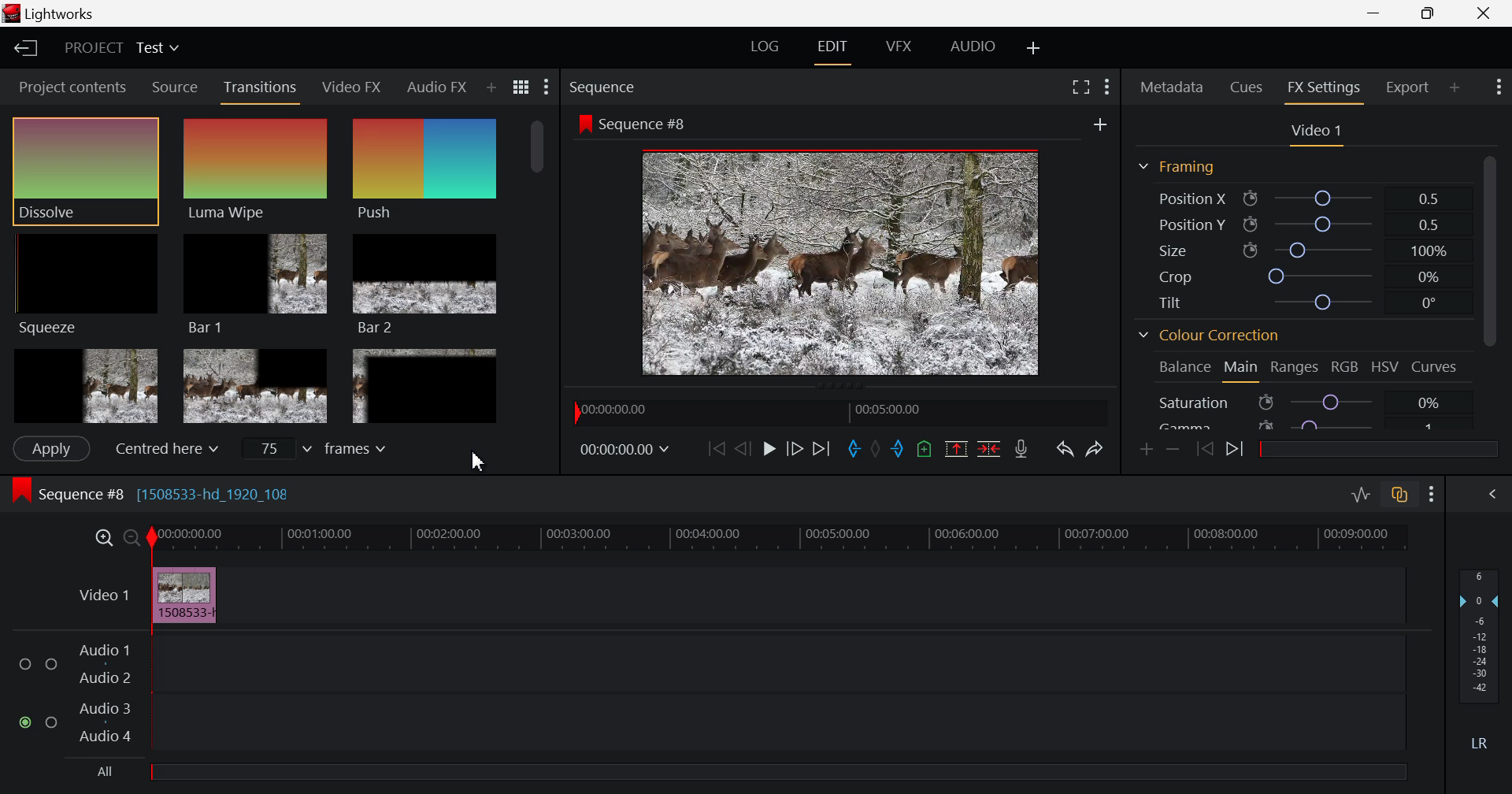  I want to click on Size, so click(1299, 248).